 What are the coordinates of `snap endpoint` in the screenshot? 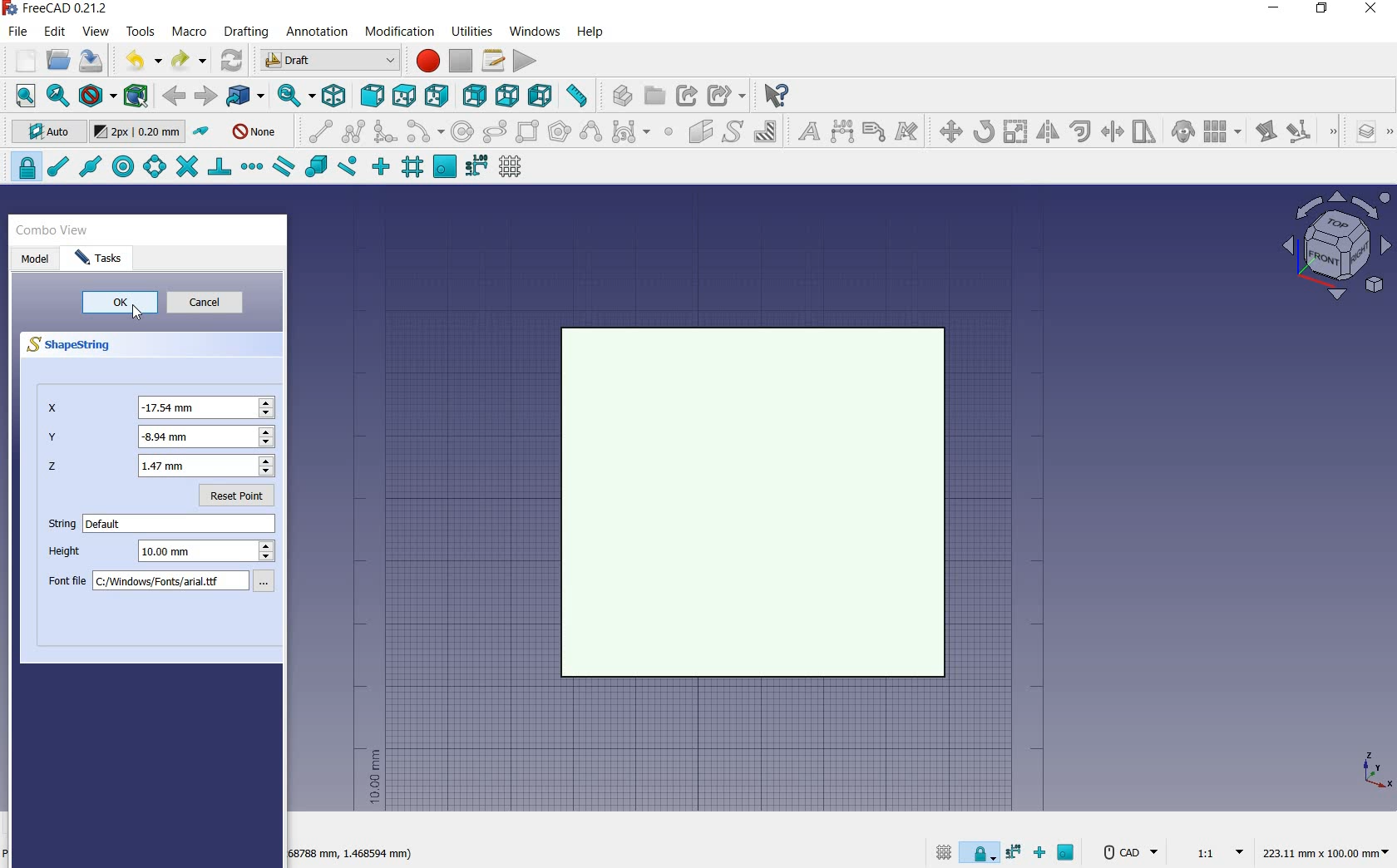 It's located at (57, 167).